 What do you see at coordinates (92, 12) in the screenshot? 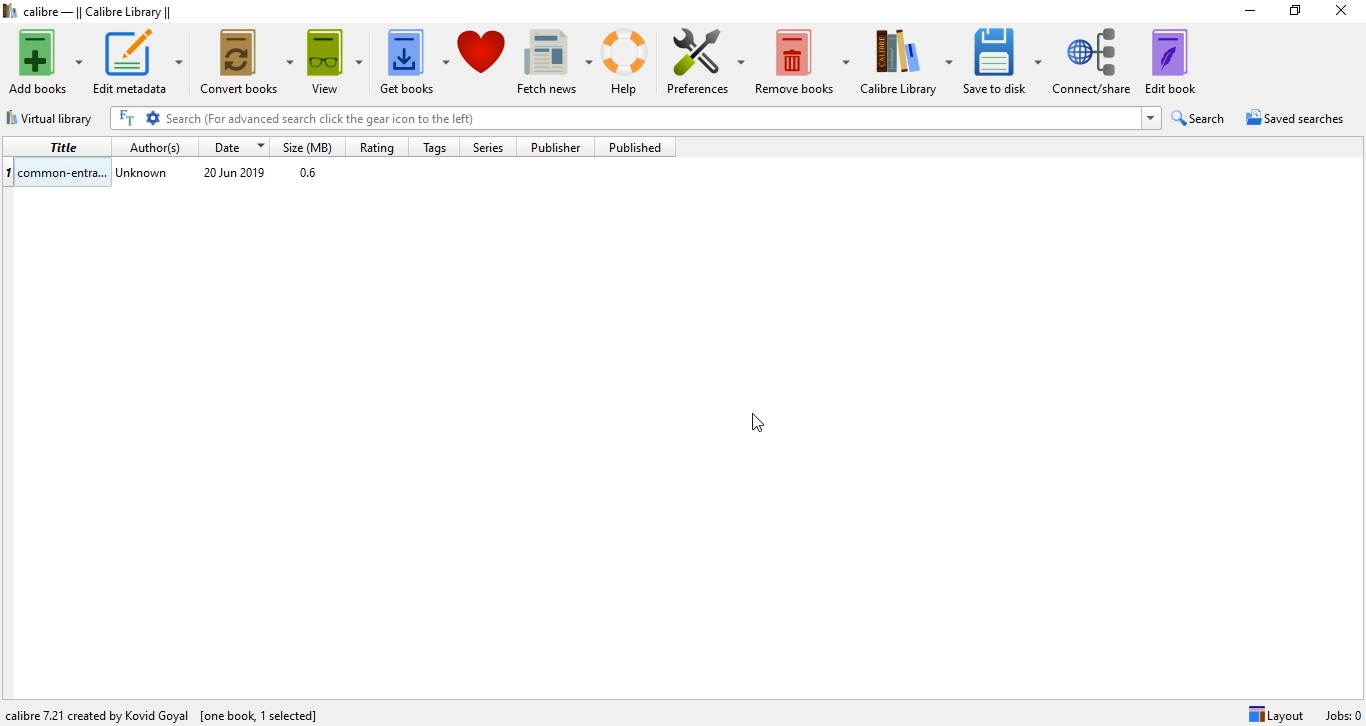
I see `calibre - || Calibre Library ||` at bounding box center [92, 12].